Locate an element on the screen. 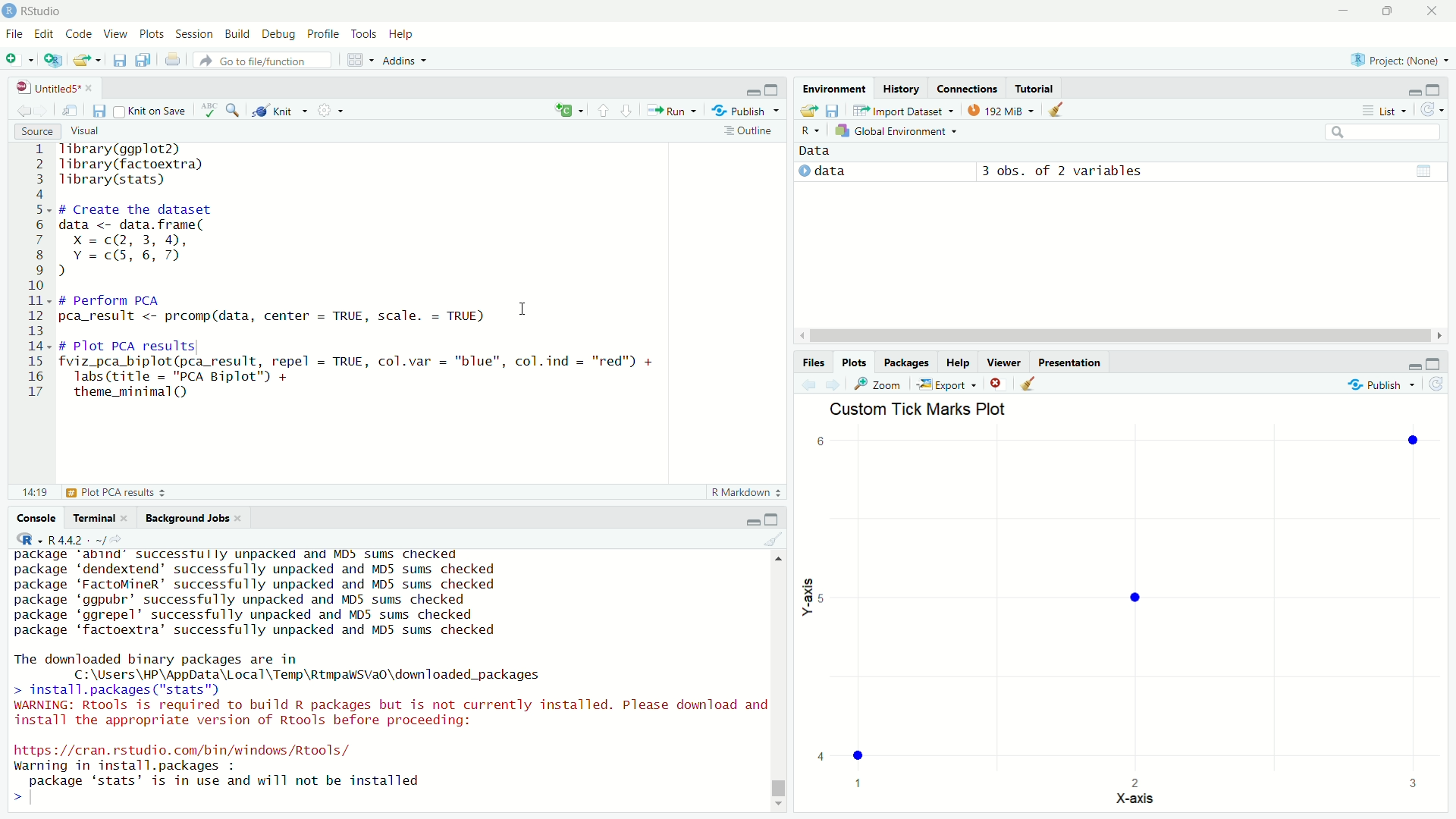  show in new window is located at coordinates (71, 111).